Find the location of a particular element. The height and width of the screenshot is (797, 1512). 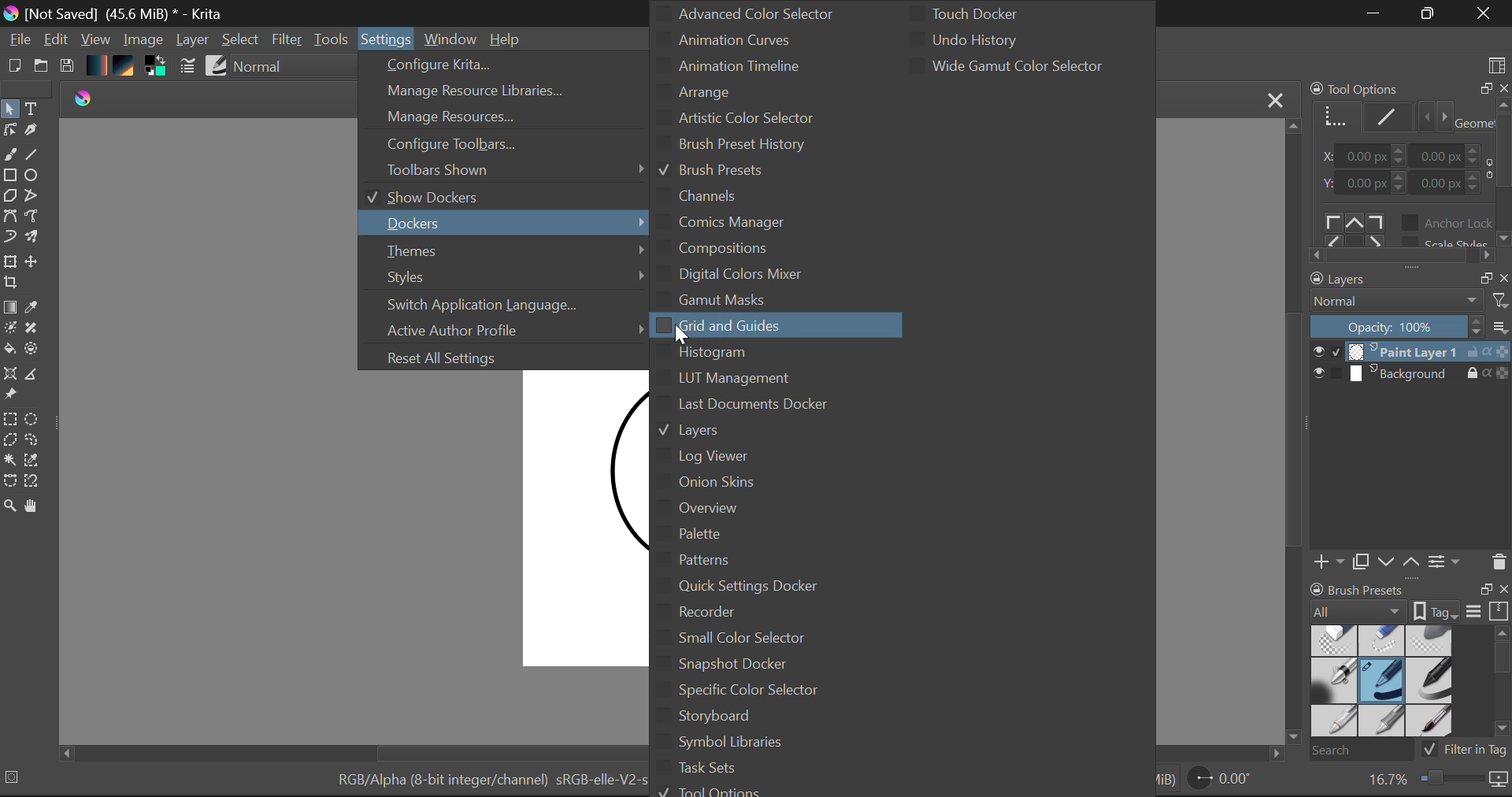

Artistic Color Selector is located at coordinates (743, 120).